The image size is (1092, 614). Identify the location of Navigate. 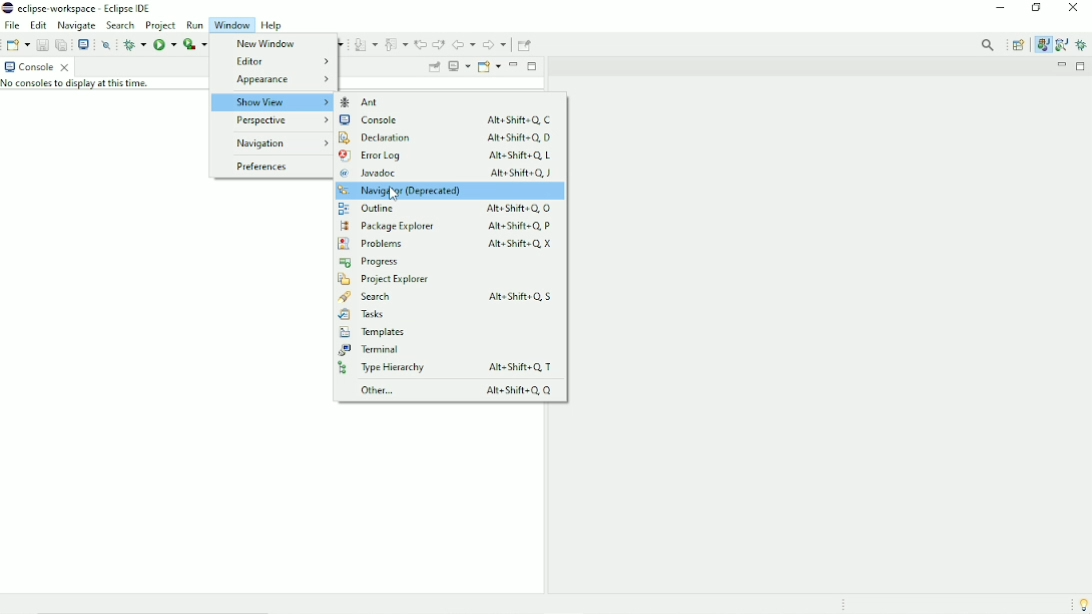
(78, 25).